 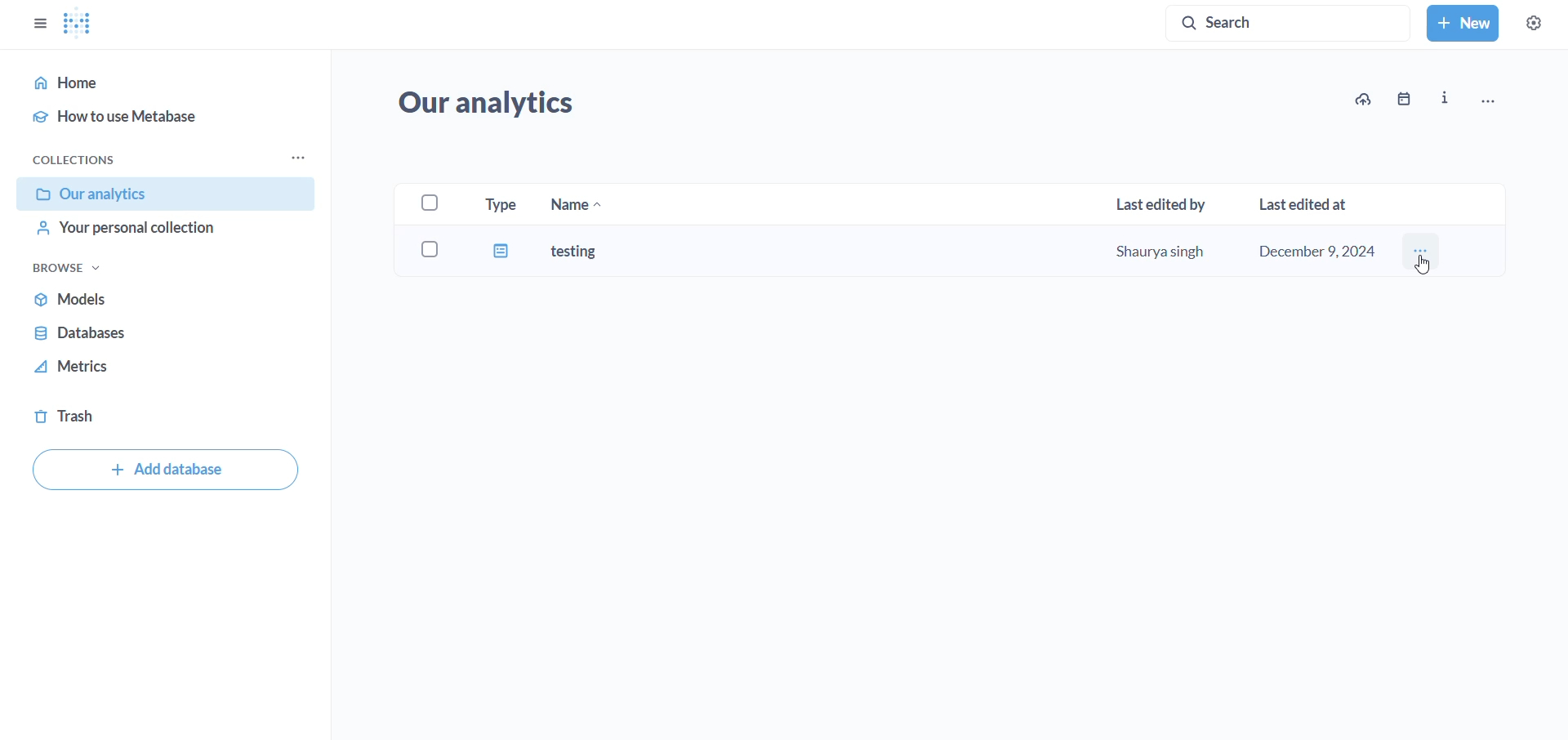 What do you see at coordinates (433, 201) in the screenshot?
I see `select checkbox` at bounding box center [433, 201].